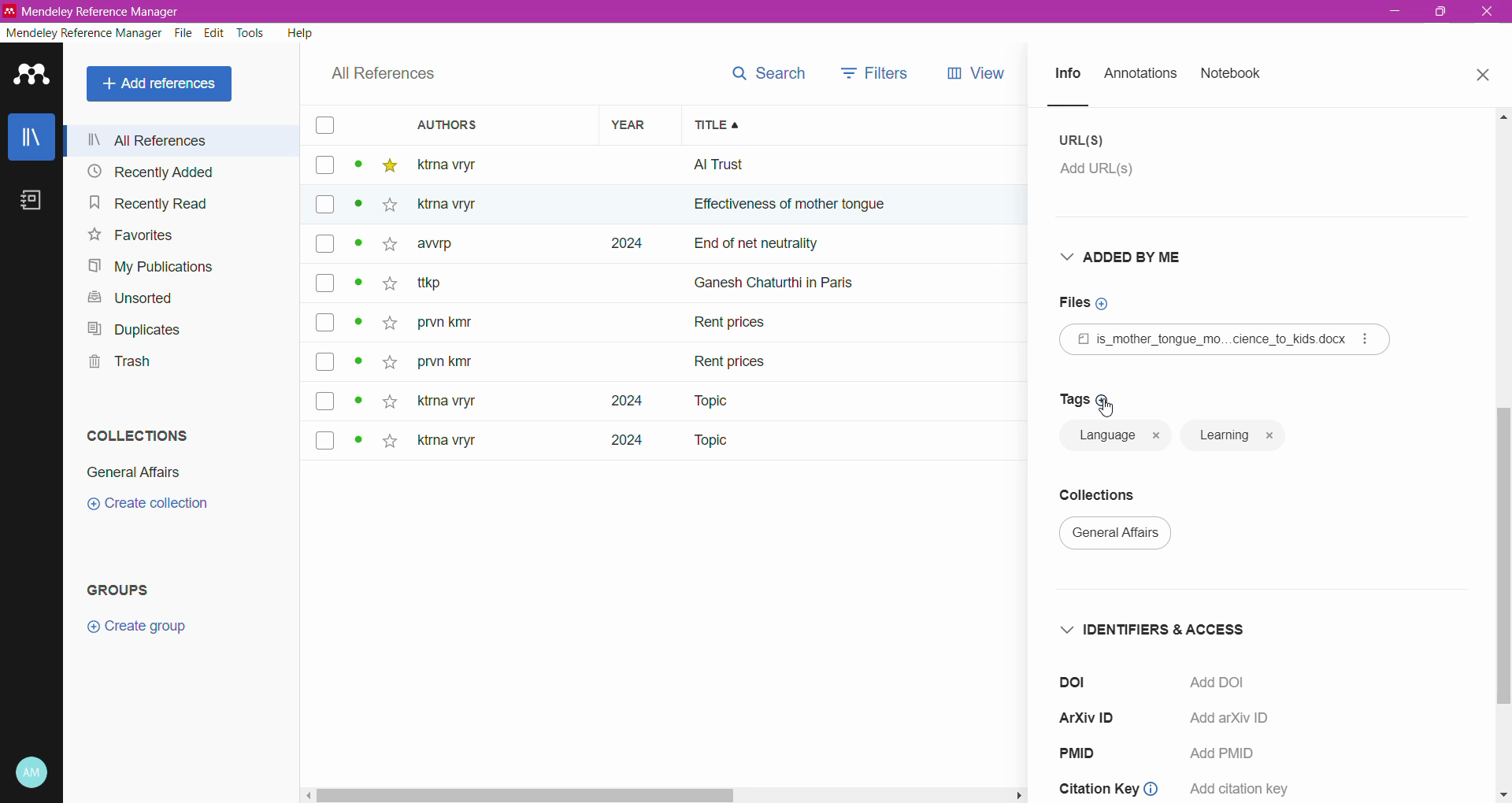 The width and height of the screenshot is (1512, 803). Describe the element at coordinates (324, 283) in the screenshot. I see `box` at that location.